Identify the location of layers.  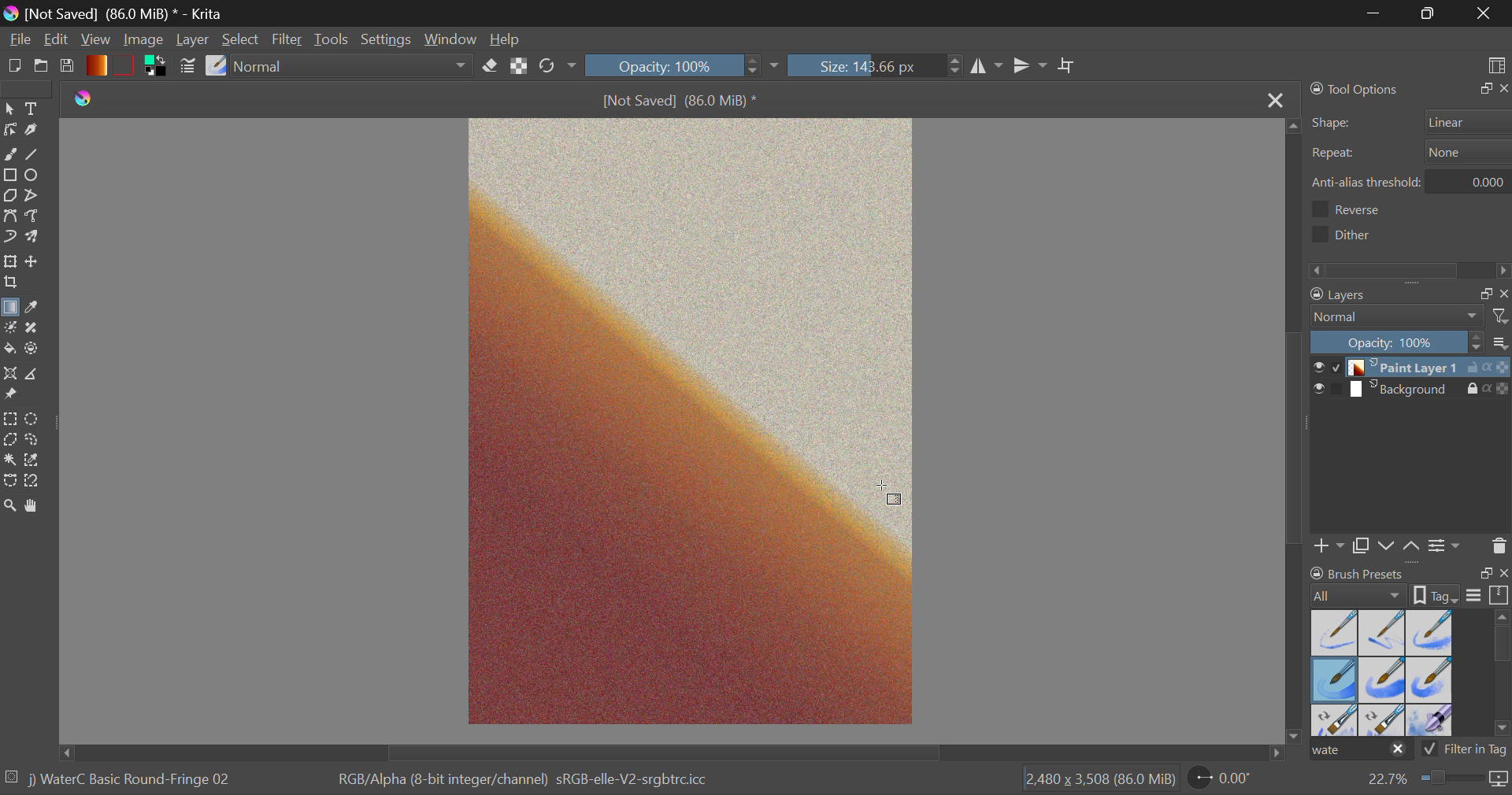
(1382, 296).